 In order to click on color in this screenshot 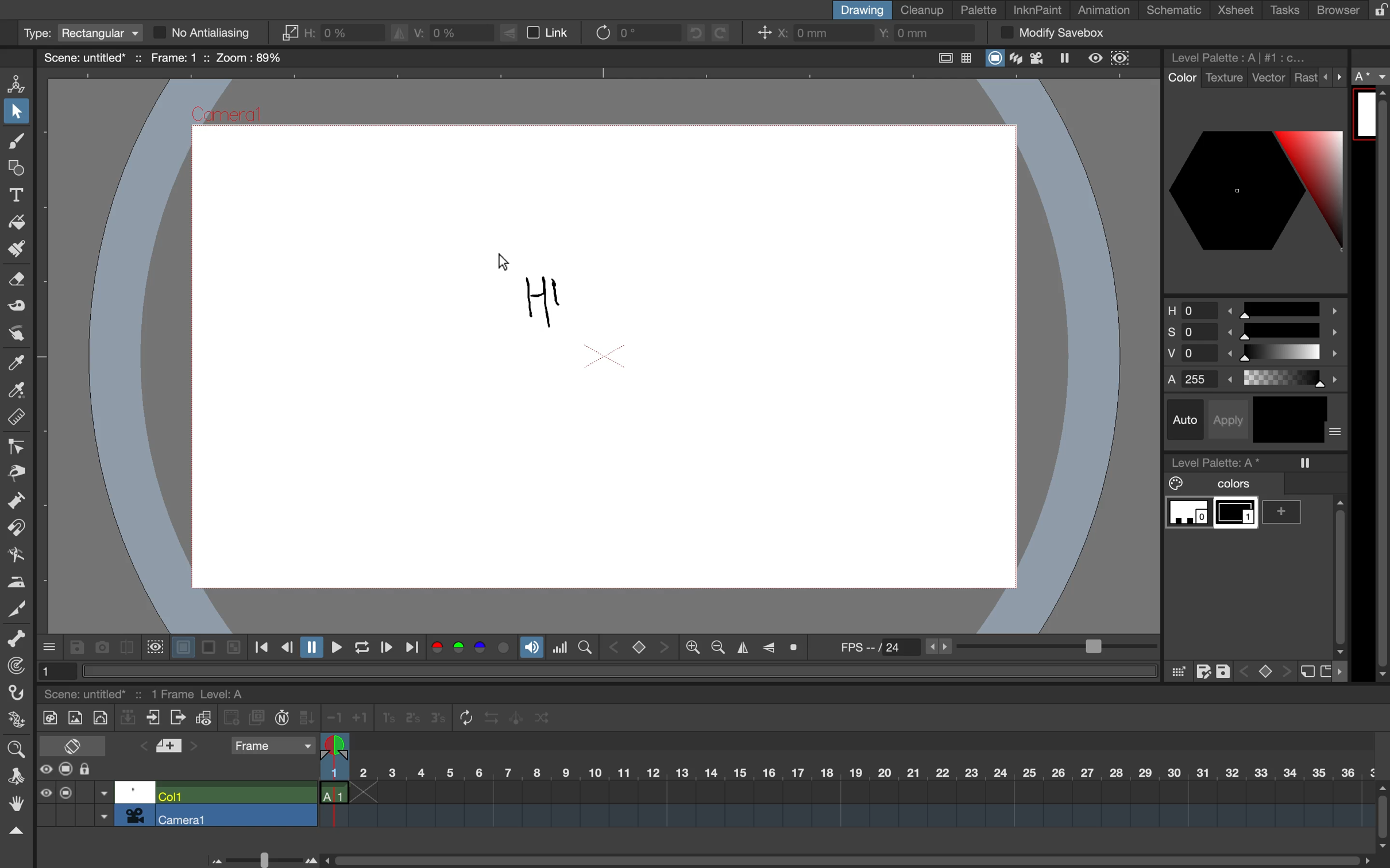, I will do `click(1180, 78)`.